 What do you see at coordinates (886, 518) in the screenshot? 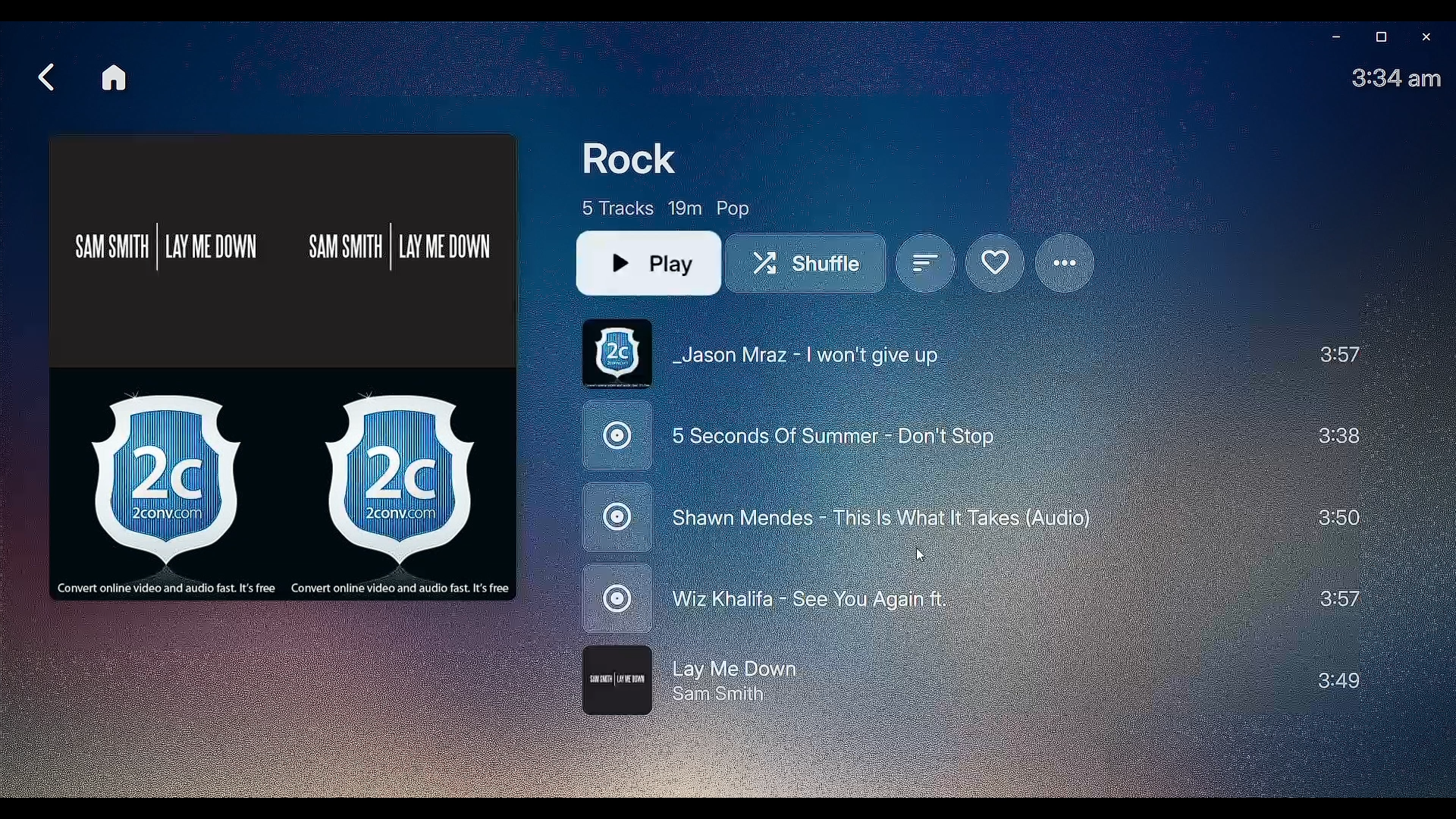
I see `Re-ordered Playlist` at bounding box center [886, 518].